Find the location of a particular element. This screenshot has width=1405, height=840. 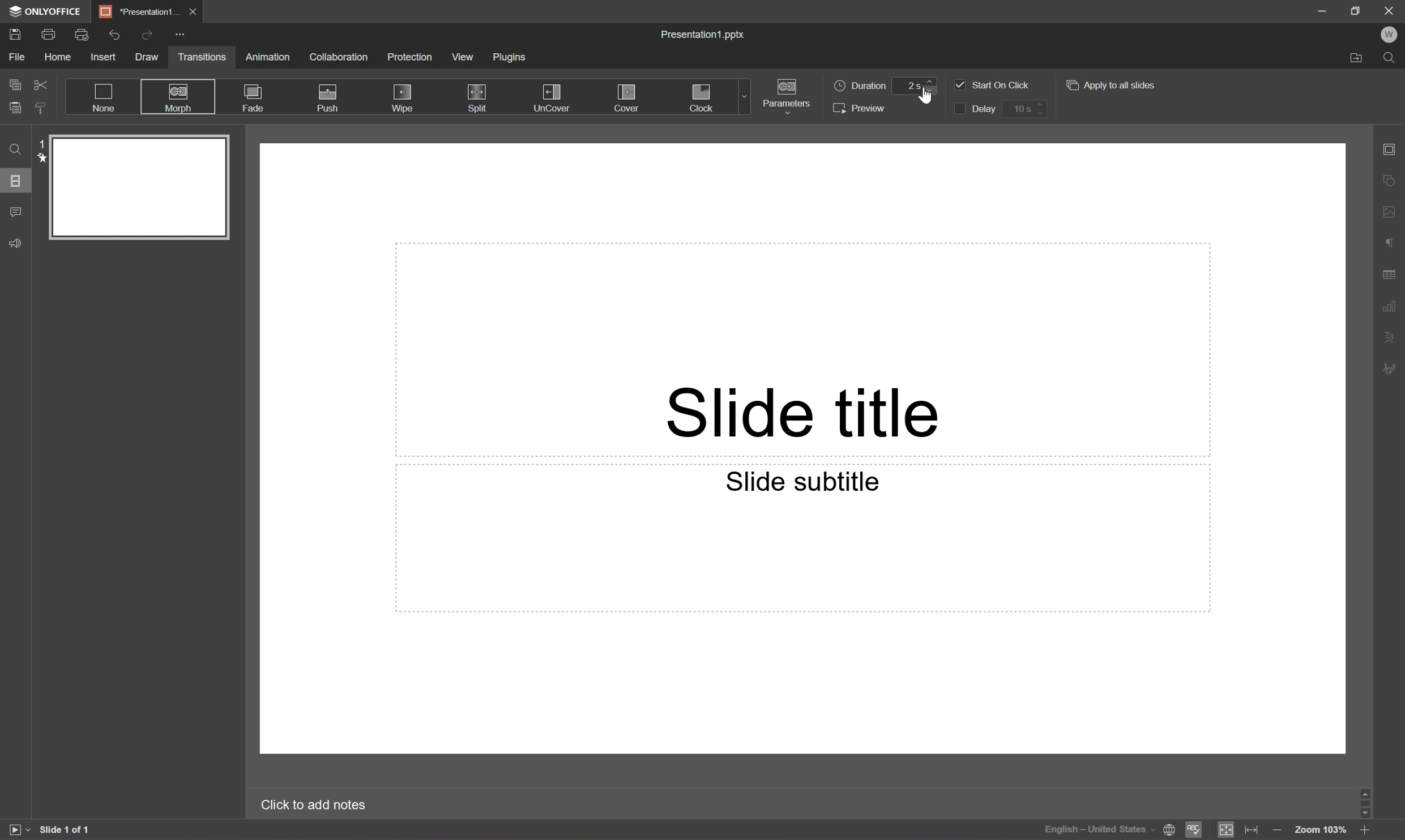

Restore Down is located at coordinates (1359, 12).